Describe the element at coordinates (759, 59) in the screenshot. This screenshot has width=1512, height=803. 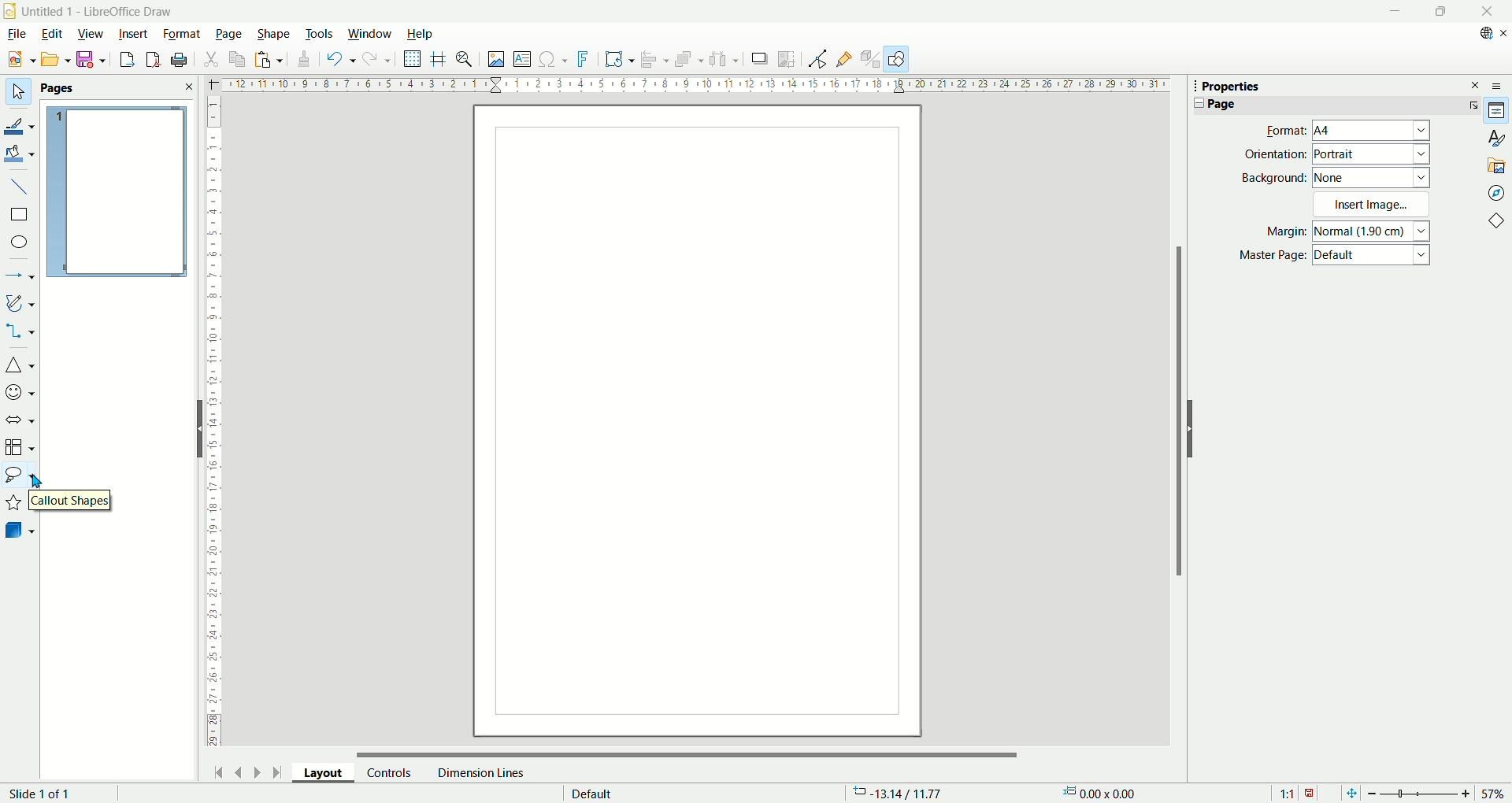
I see `shadow` at that location.